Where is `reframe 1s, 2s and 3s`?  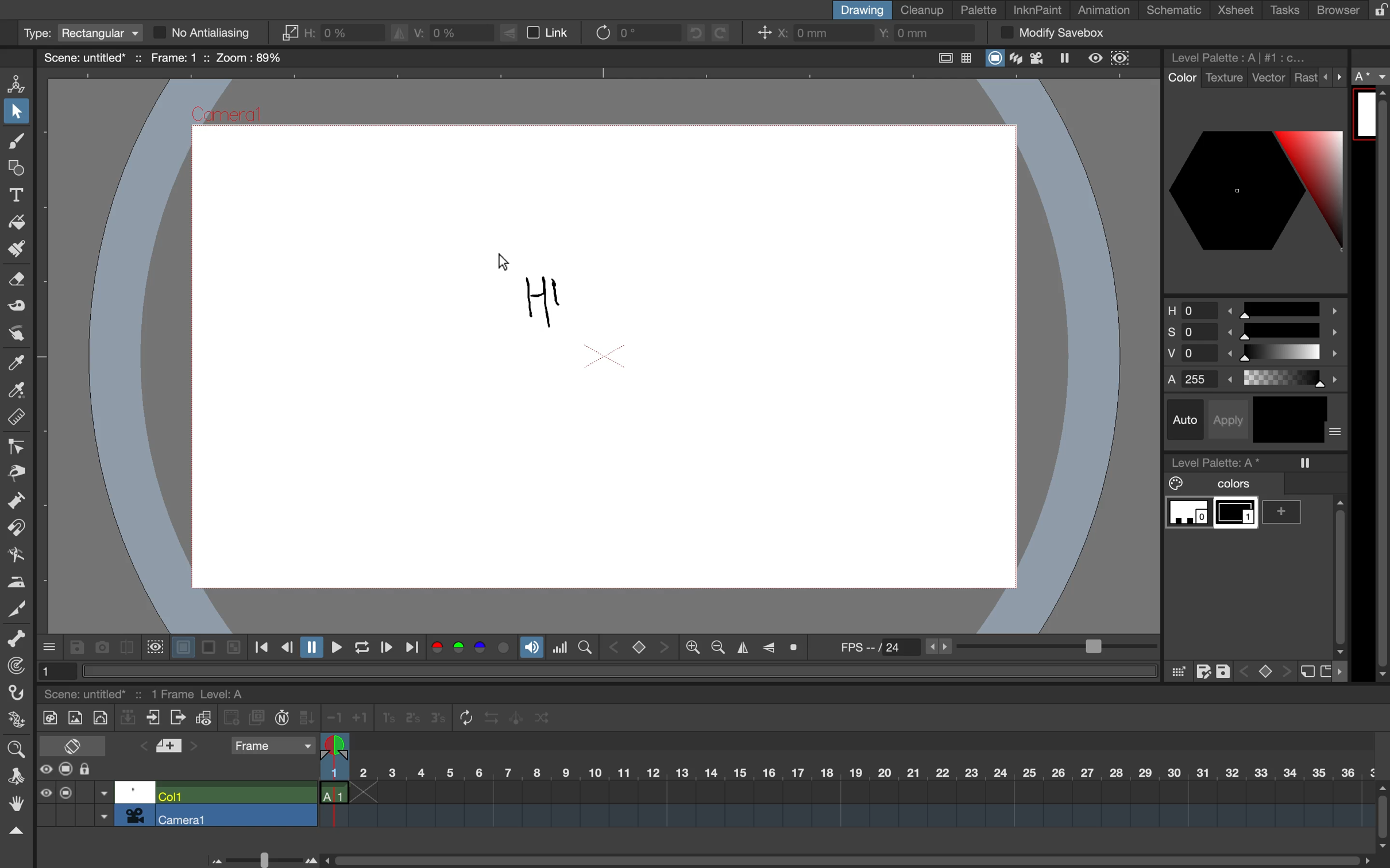
reframe 1s, 2s and 3s is located at coordinates (405, 719).